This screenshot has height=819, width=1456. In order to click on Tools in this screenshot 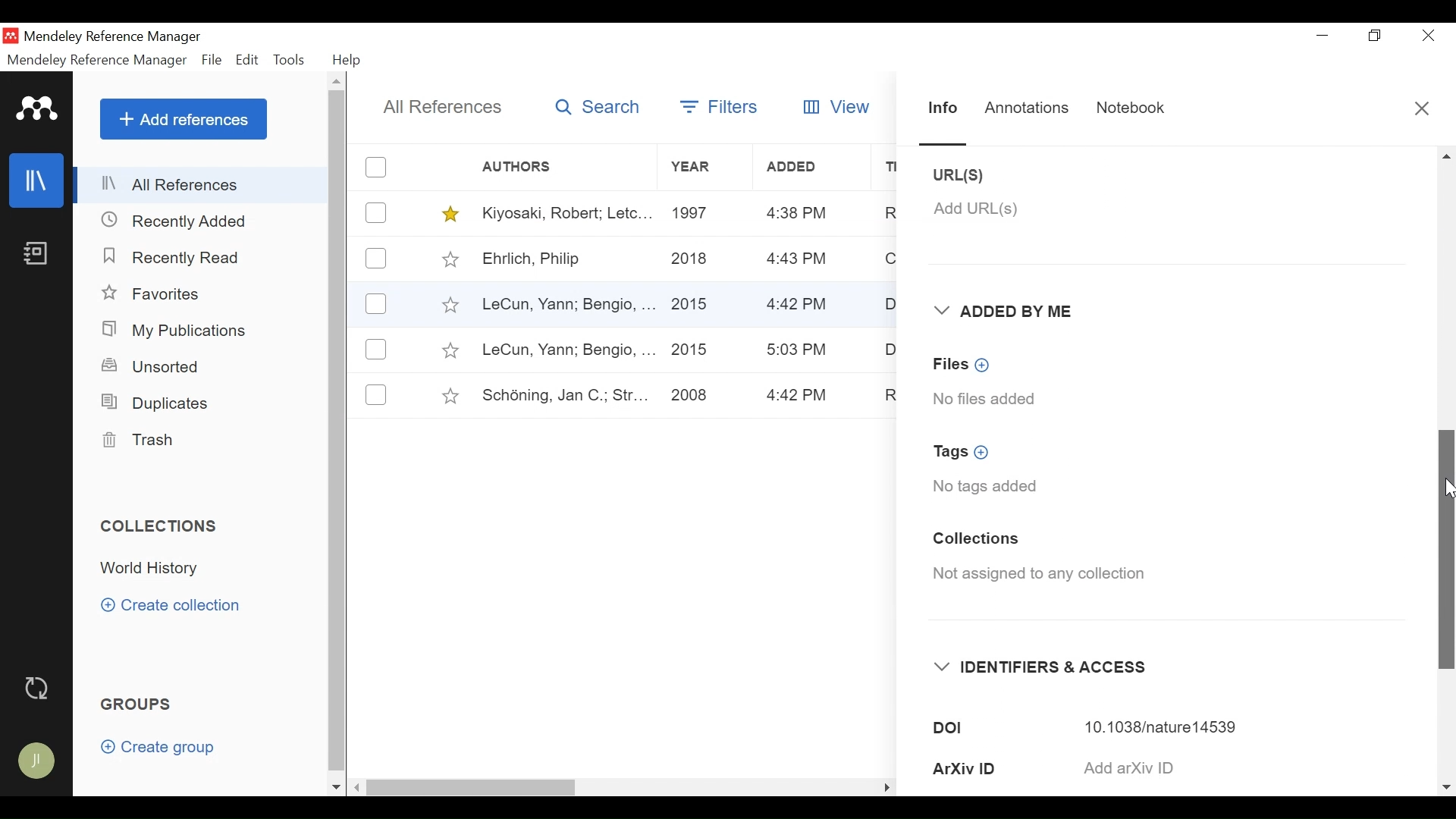, I will do `click(293, 60)`.